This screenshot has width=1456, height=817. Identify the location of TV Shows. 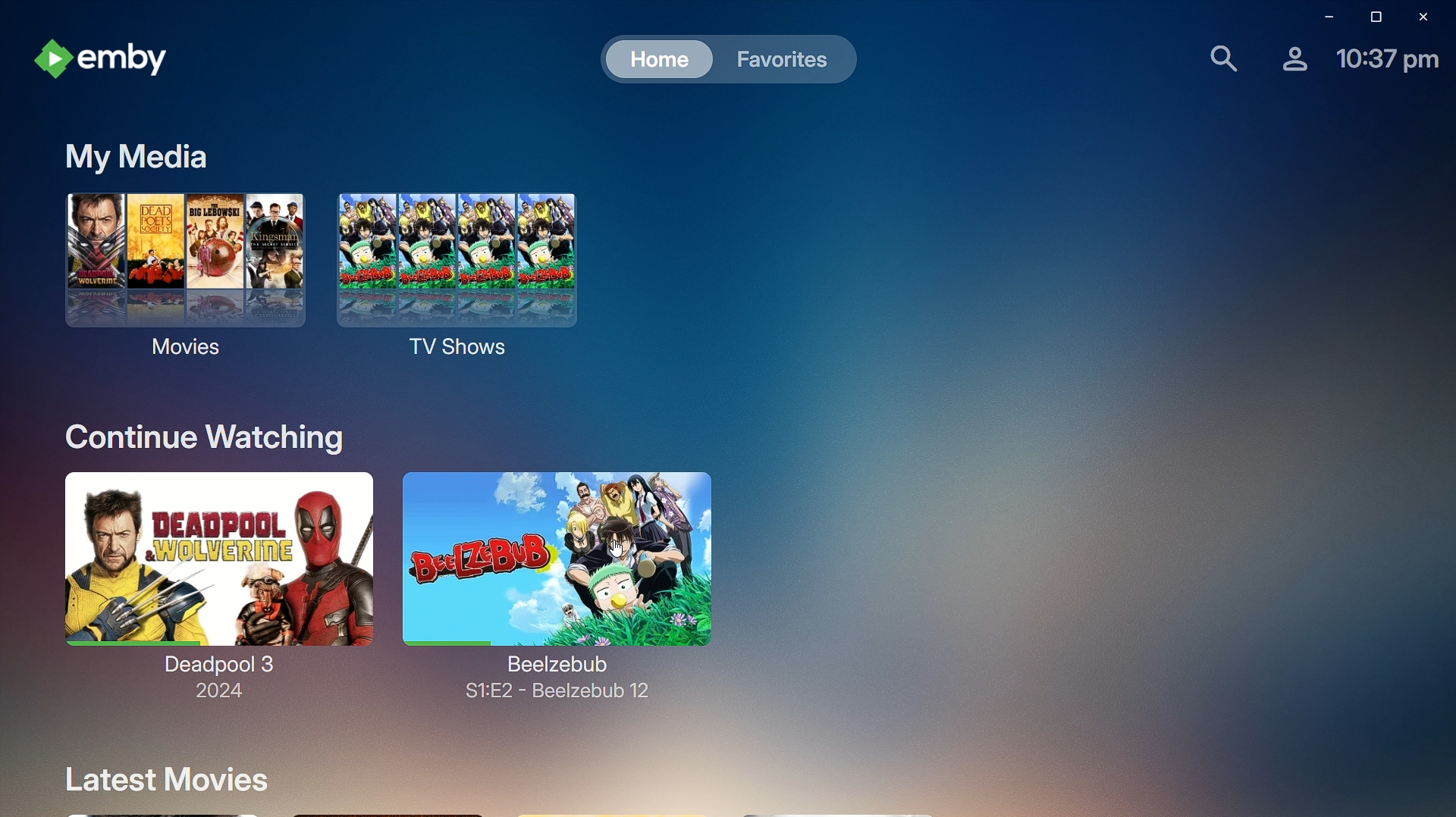
(465, 276).